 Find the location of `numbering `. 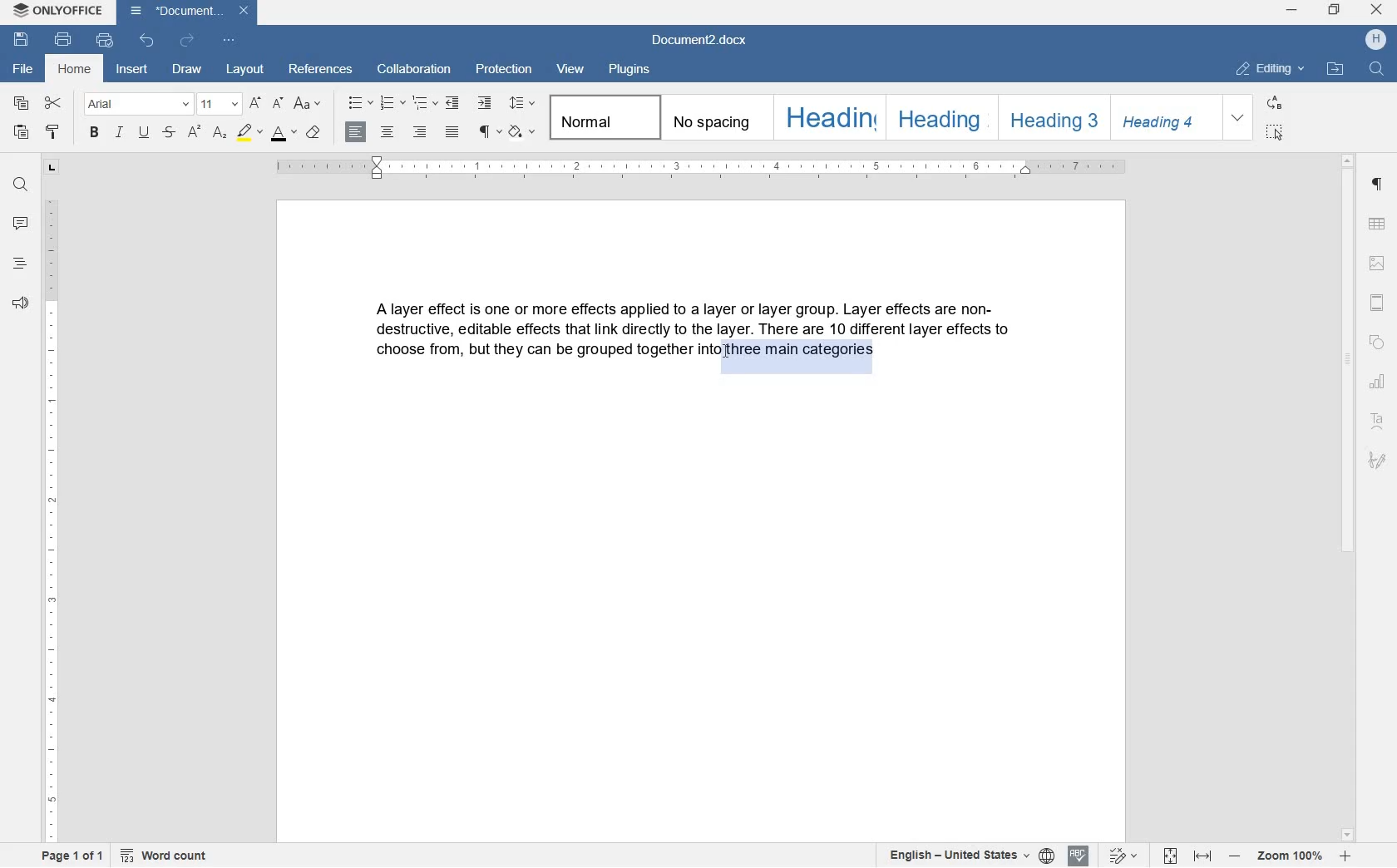

numbering  is located at coordinates (392, 103).